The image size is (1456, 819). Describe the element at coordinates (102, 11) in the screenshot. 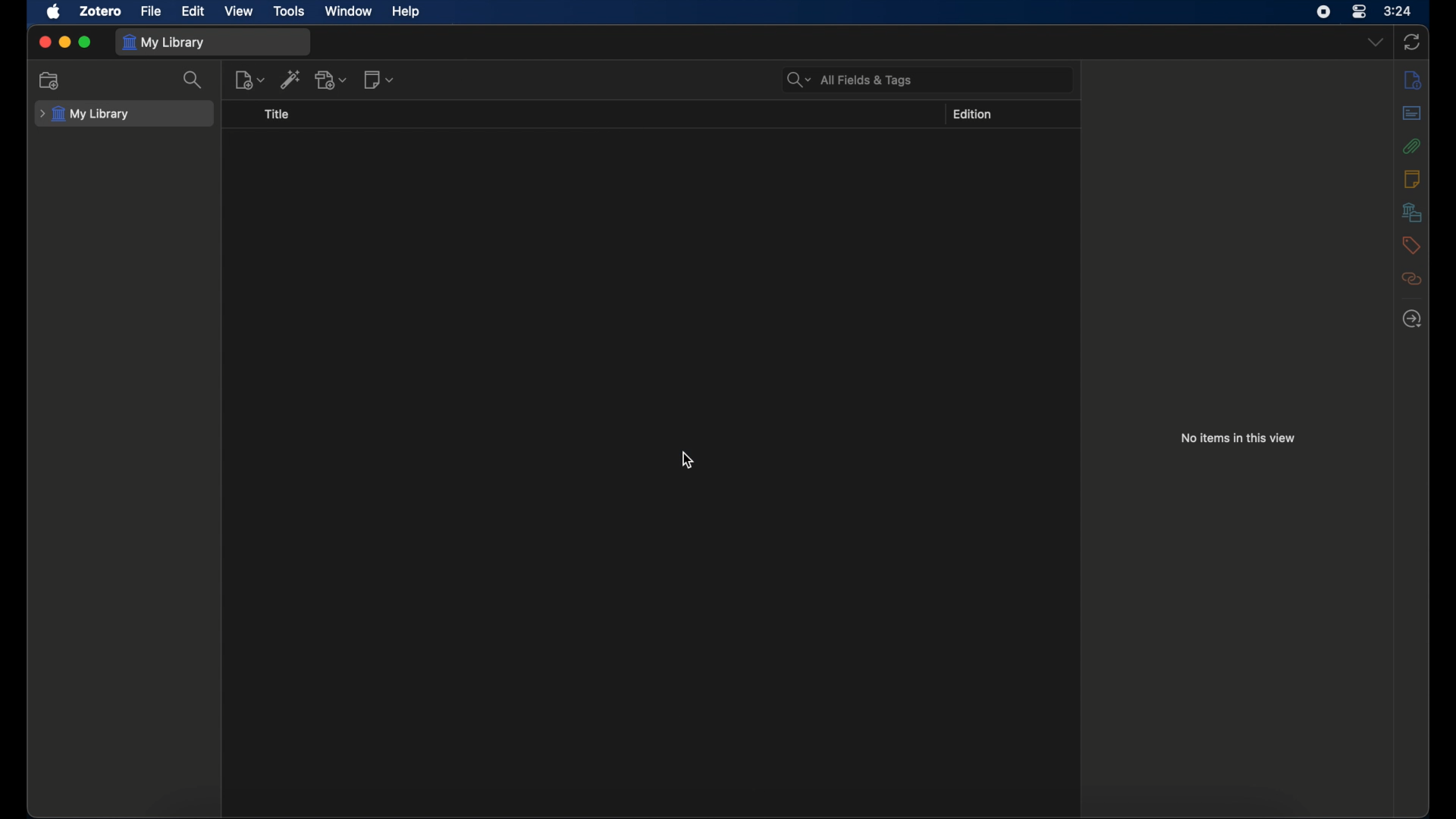

I see `zotero` at that location.